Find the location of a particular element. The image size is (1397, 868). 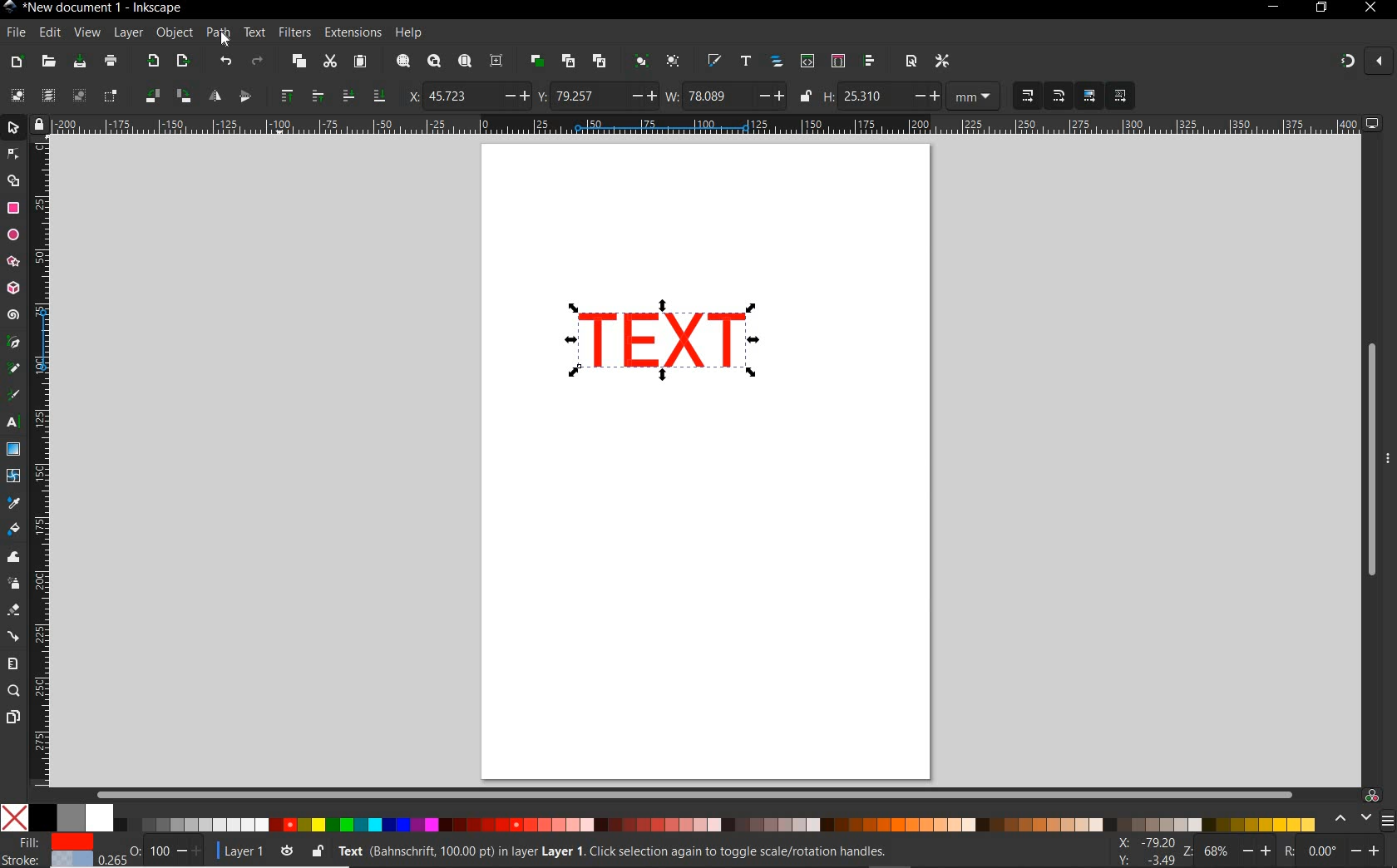

OPEN ALIGN AND DISTRIBUTE is located at coordinates (870, 61).